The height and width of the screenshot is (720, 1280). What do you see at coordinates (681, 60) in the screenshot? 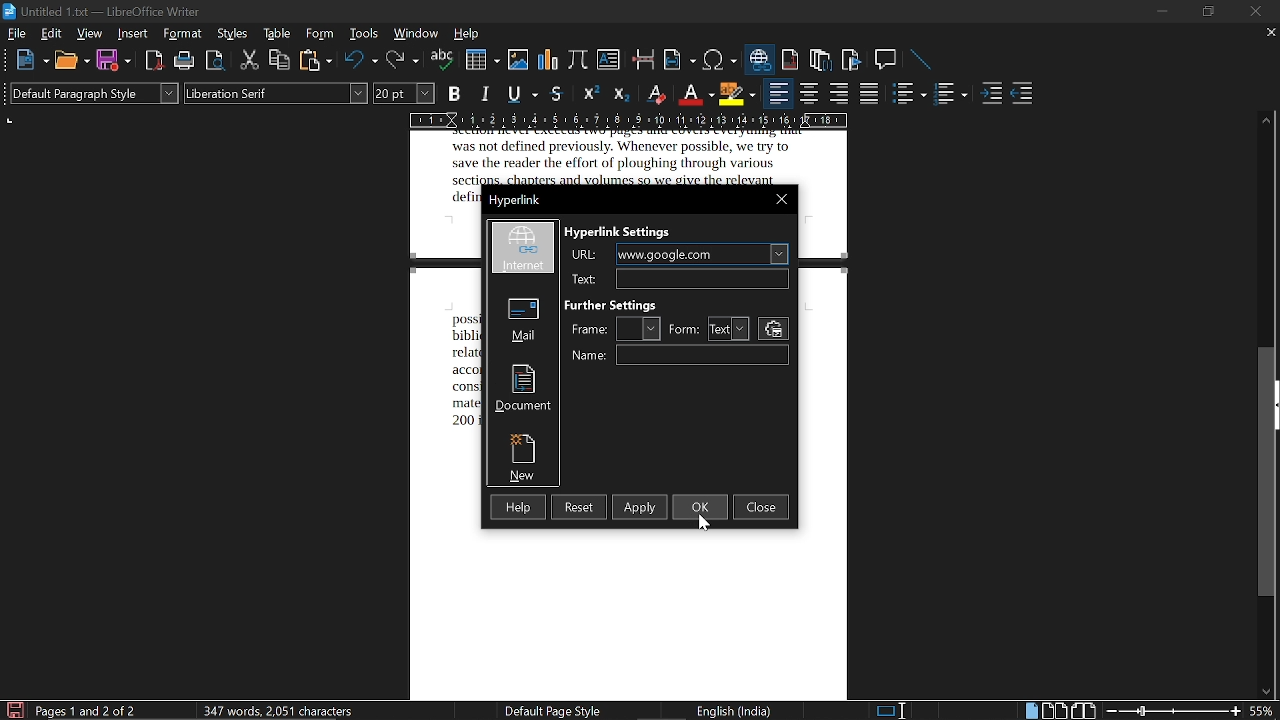
I see `insert field` at bounding box center [681, 60].